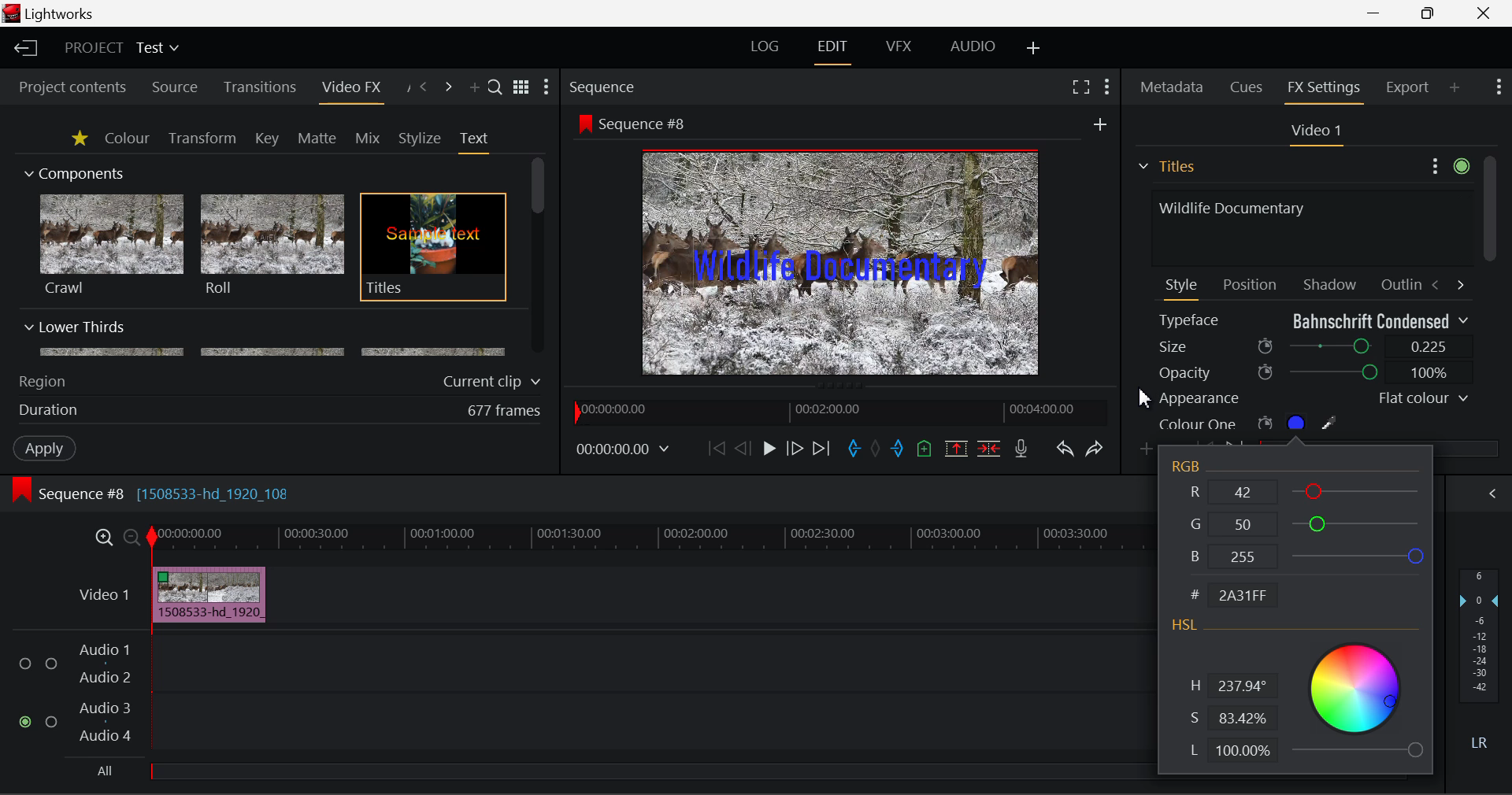  Describe the element at coordinates (1096, 449) in the screenshot. I see `Redo` at that location.